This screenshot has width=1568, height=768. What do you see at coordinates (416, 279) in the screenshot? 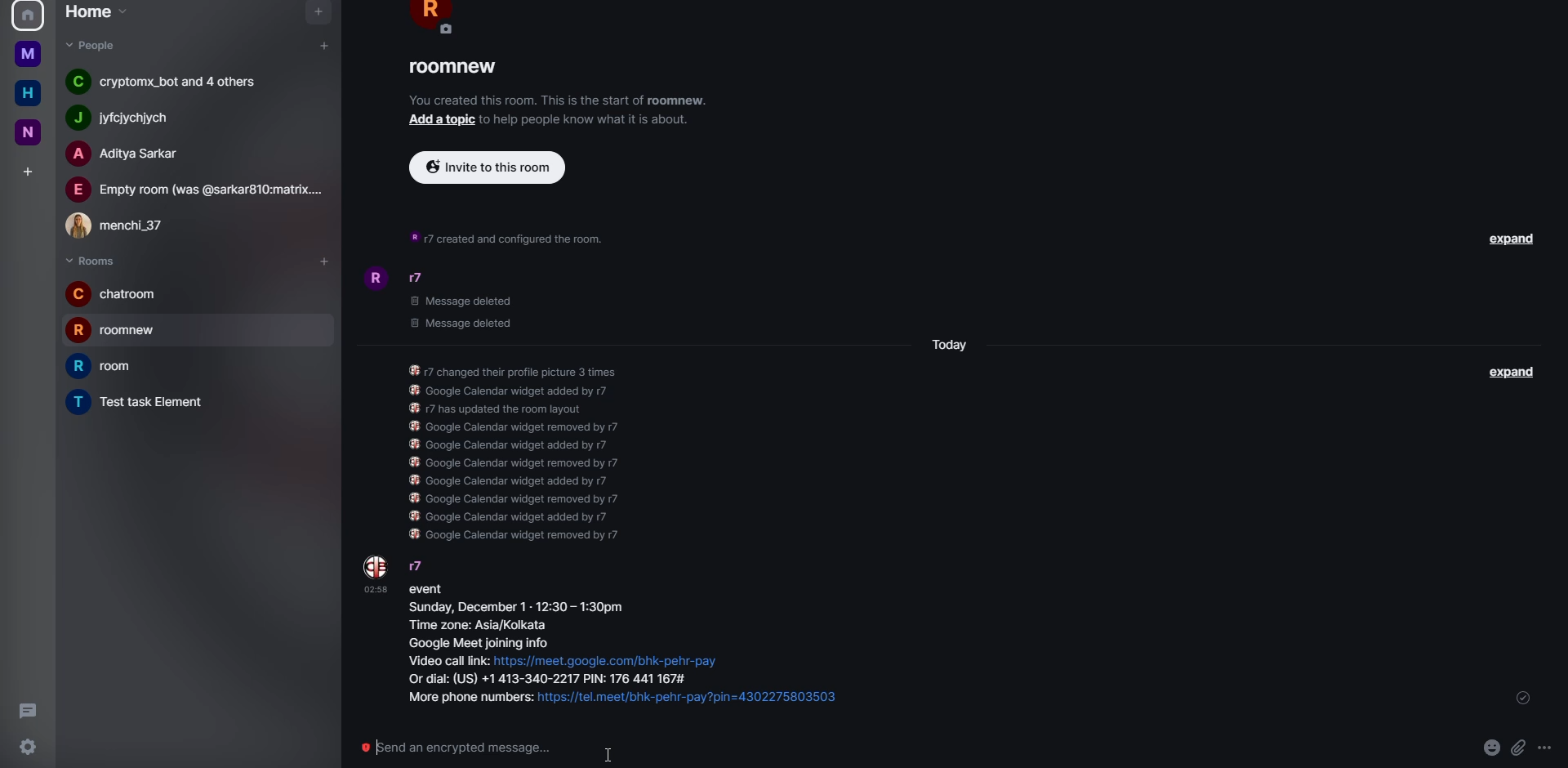
I see `people` at bounding box center [416, 279].